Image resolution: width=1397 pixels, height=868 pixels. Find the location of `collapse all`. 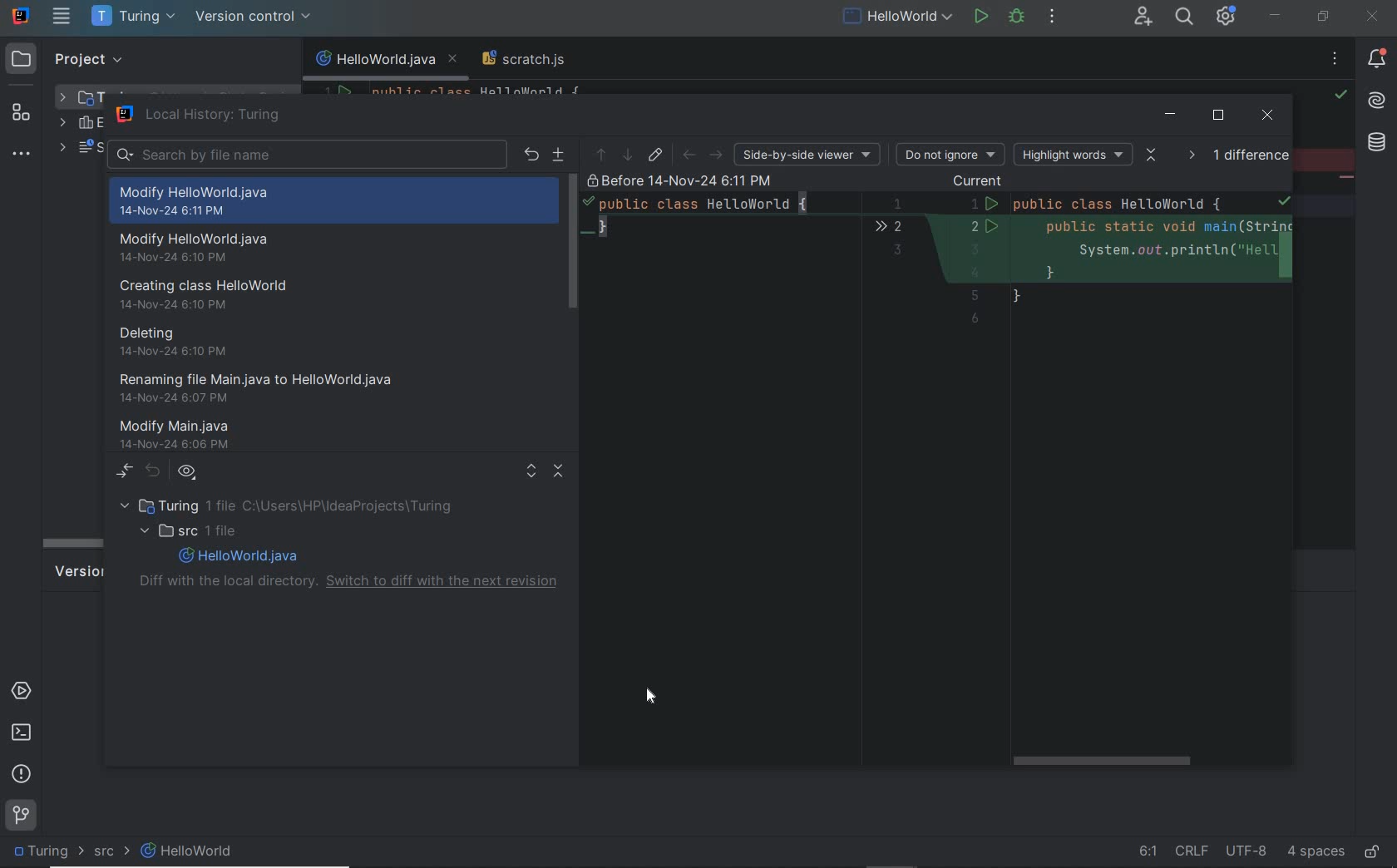

collapse all is located at coordinates (562, 471).